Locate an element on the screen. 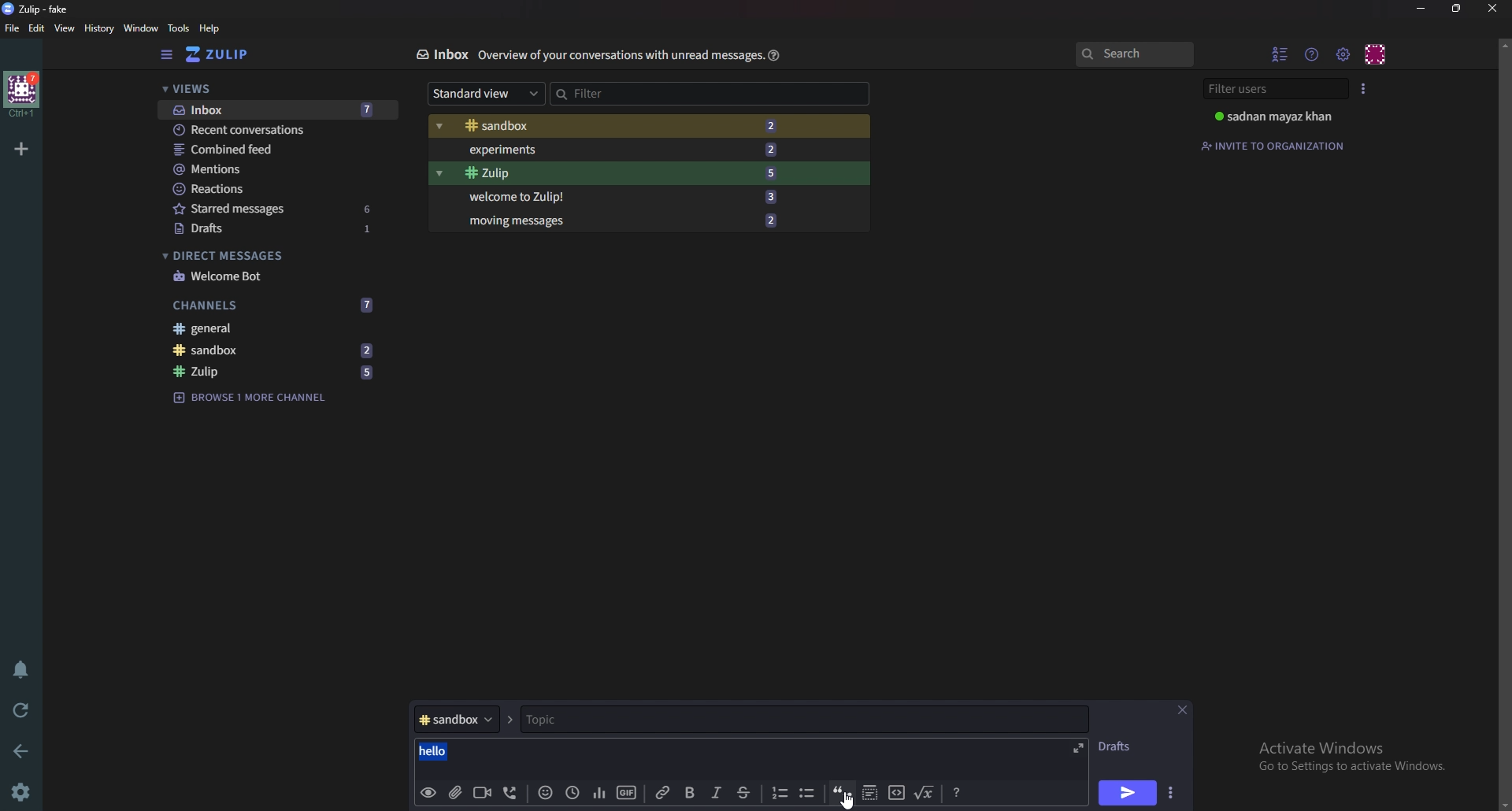 The image size is (1512, 811). Browse 1 more channel is located at coordinates (257, 398).